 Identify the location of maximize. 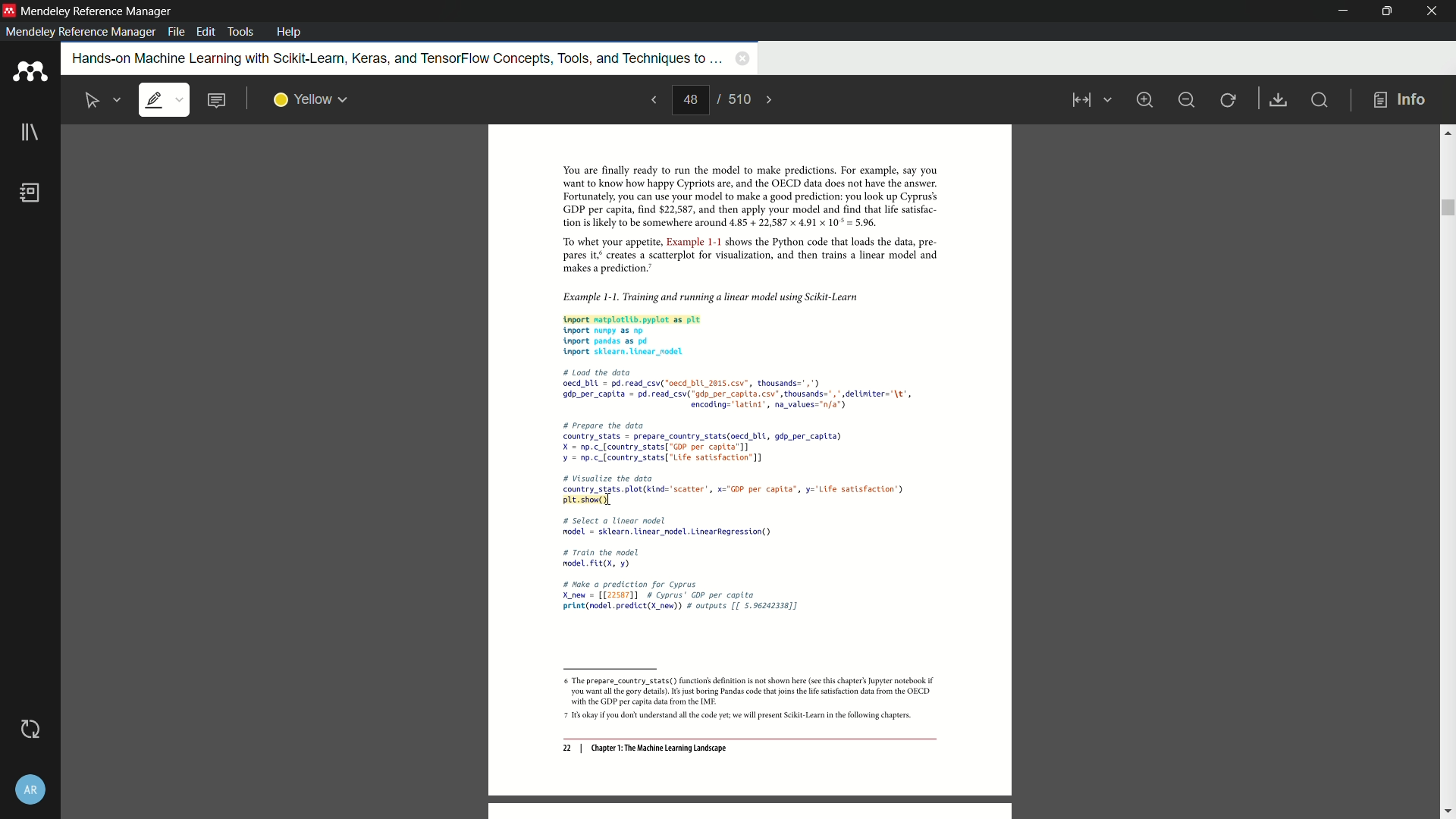
(1384, 11).